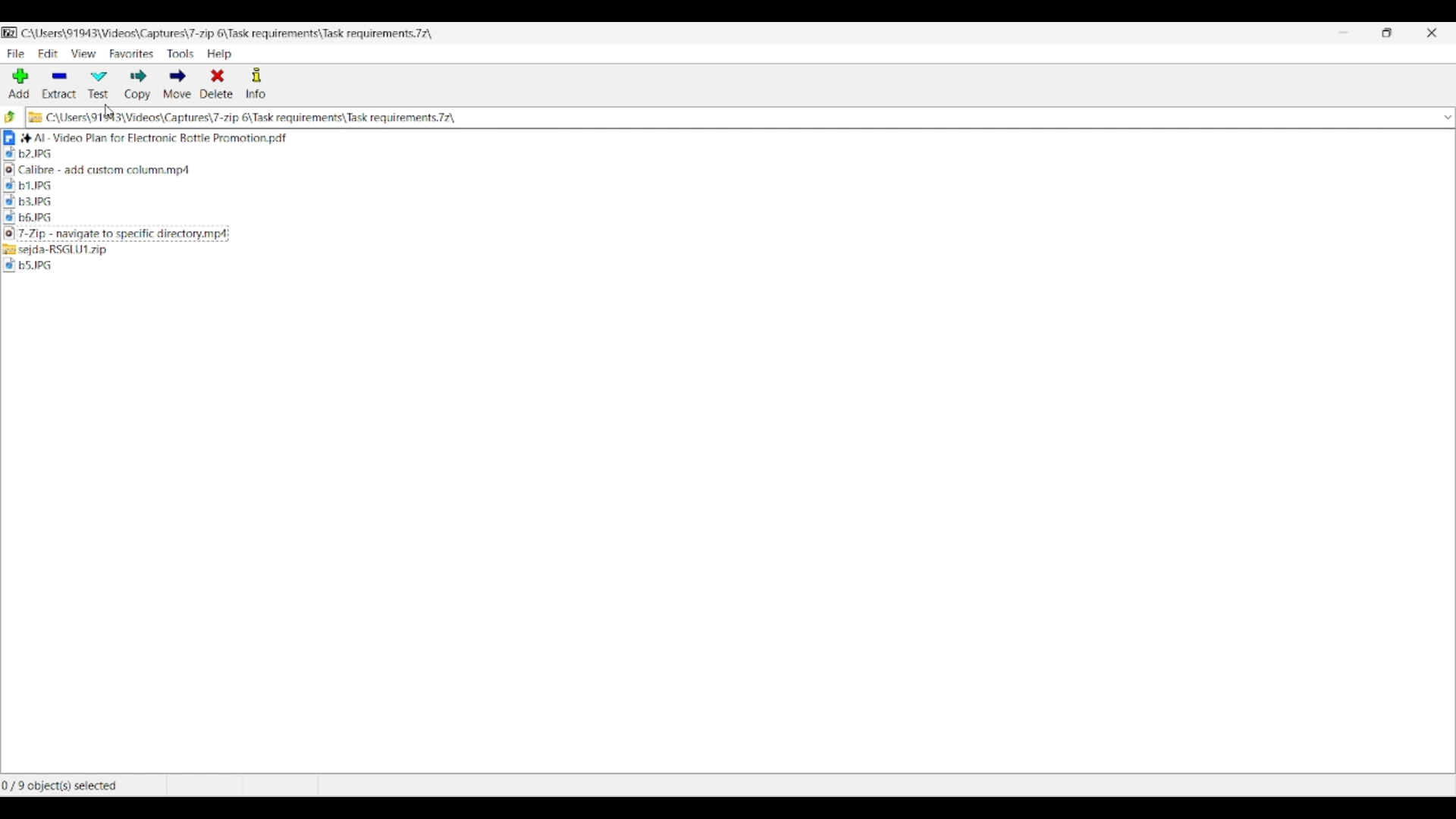 The width and height of the screenshot is (1456, 819). I want to click on Move, so click(177, 83).